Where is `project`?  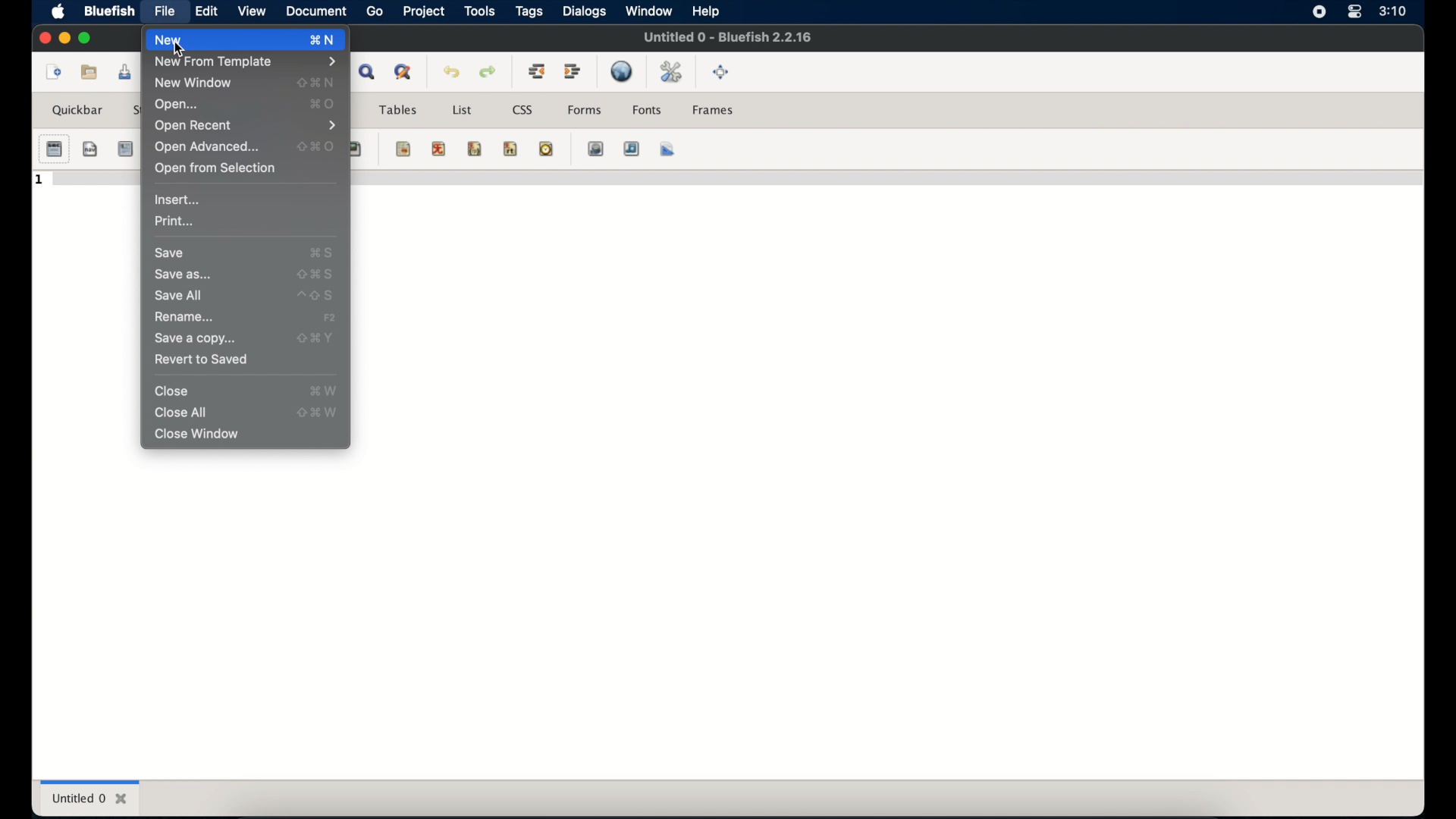 project is located at coordinates (423, 11).